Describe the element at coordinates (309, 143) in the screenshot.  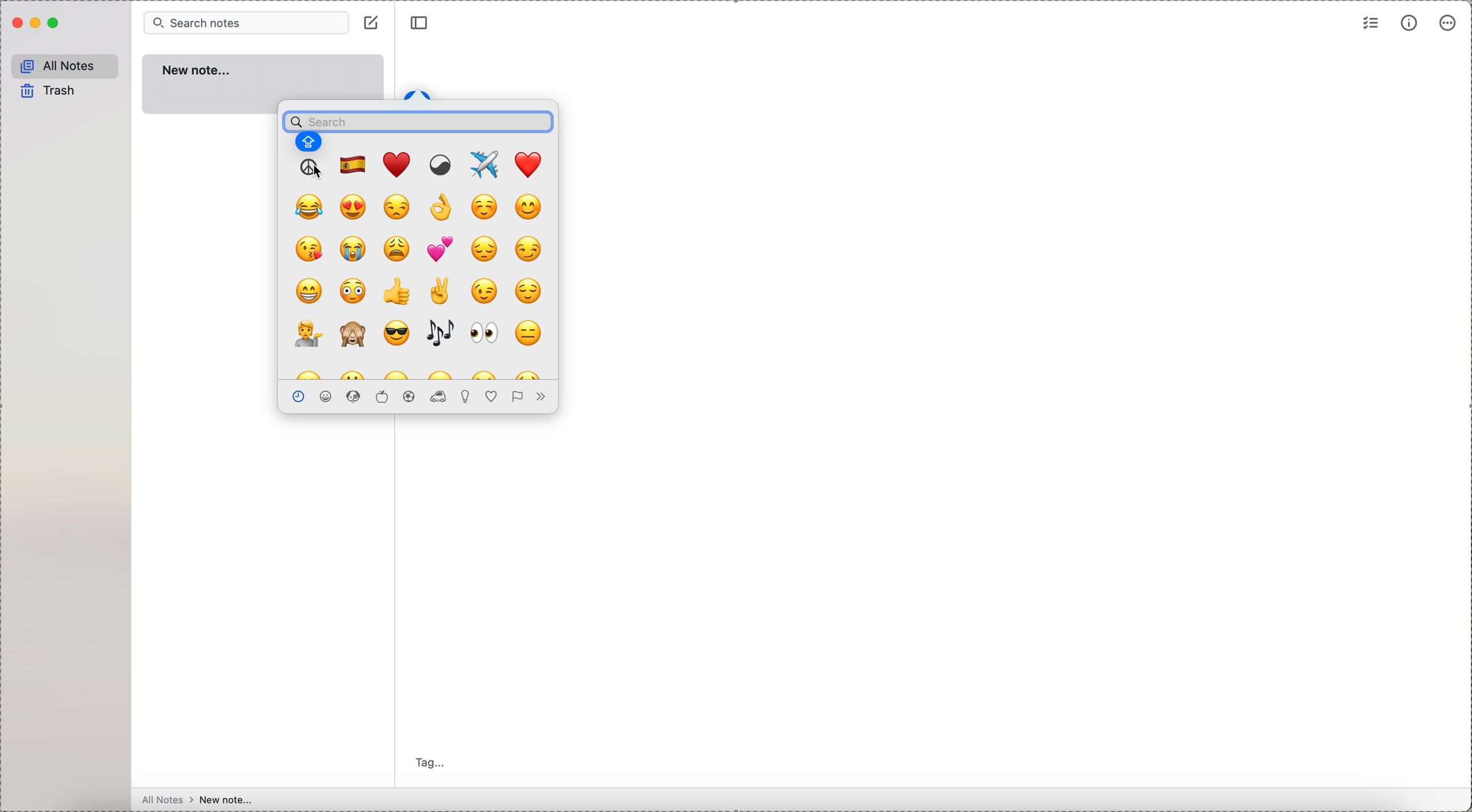
I see `mayusc activated` at that location.